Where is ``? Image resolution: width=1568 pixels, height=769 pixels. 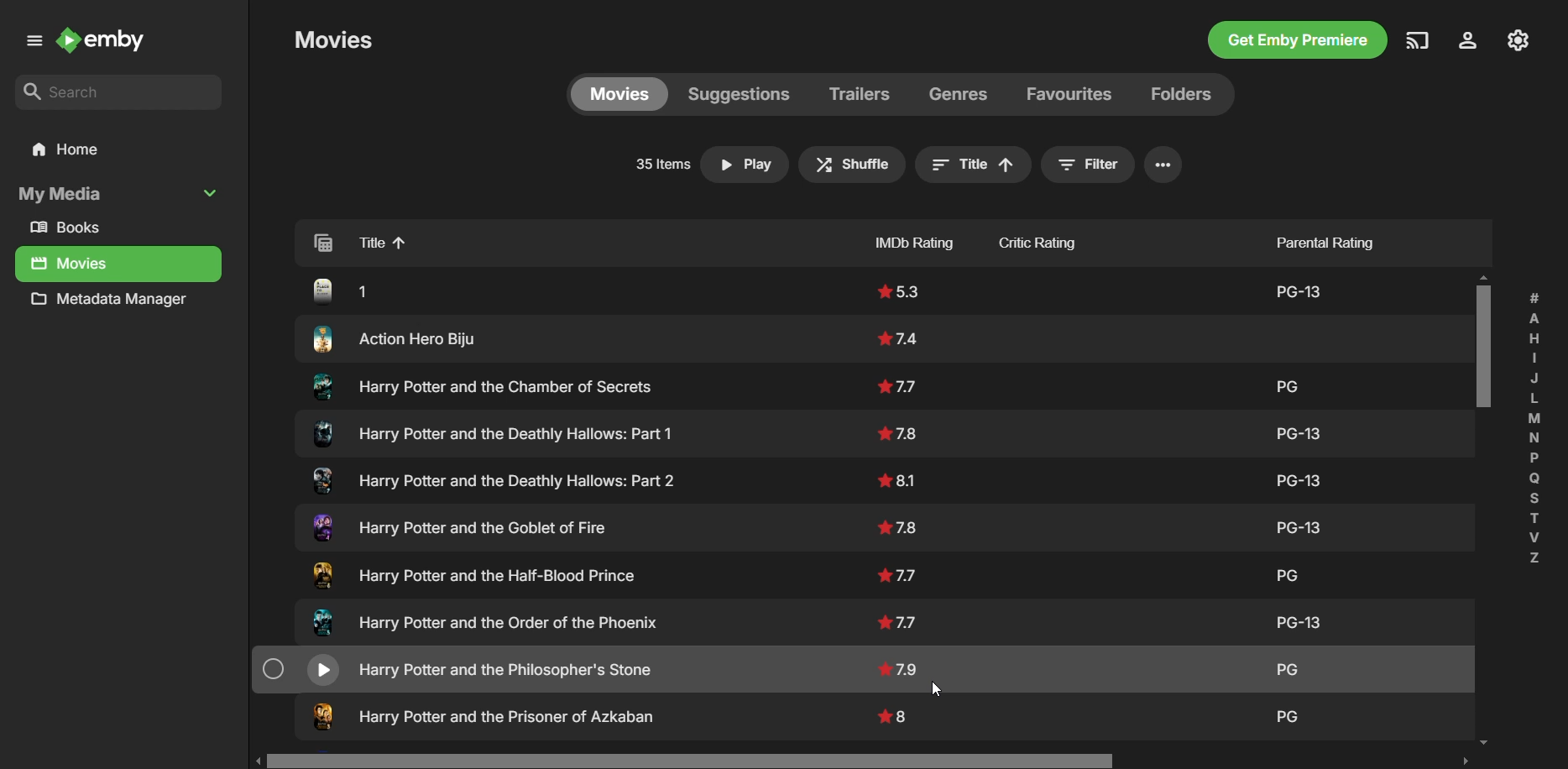  is located at coordinates (1289, 709).